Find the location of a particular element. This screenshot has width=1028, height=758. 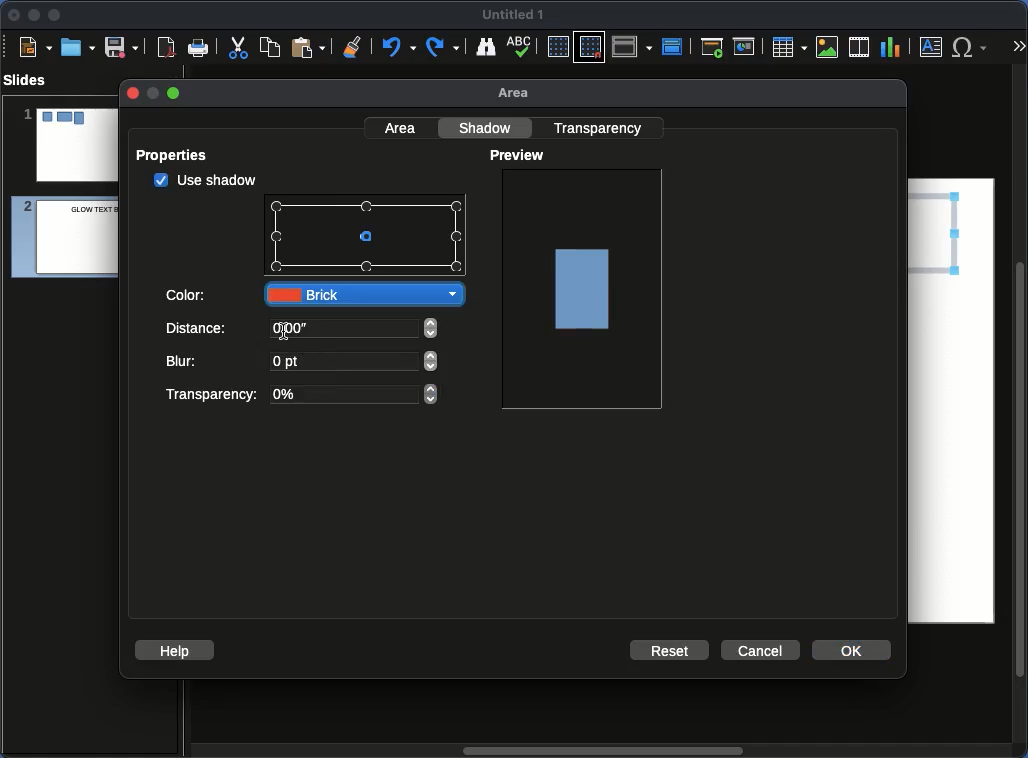

Special characters is located at coordinates (974, 47).